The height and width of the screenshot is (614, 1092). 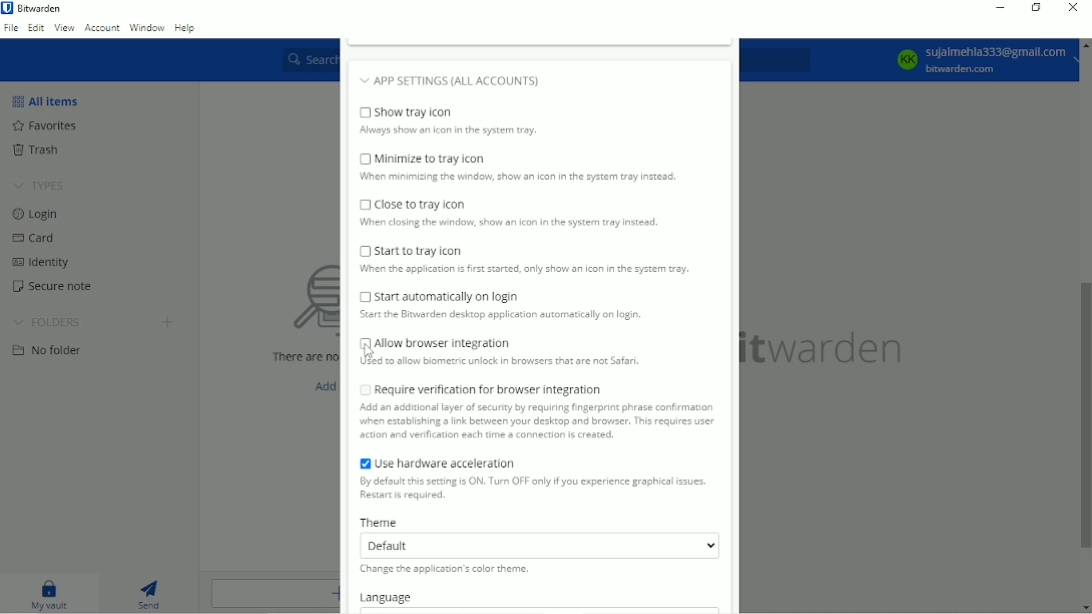 I want to click on View, so click(x=63, y=27).